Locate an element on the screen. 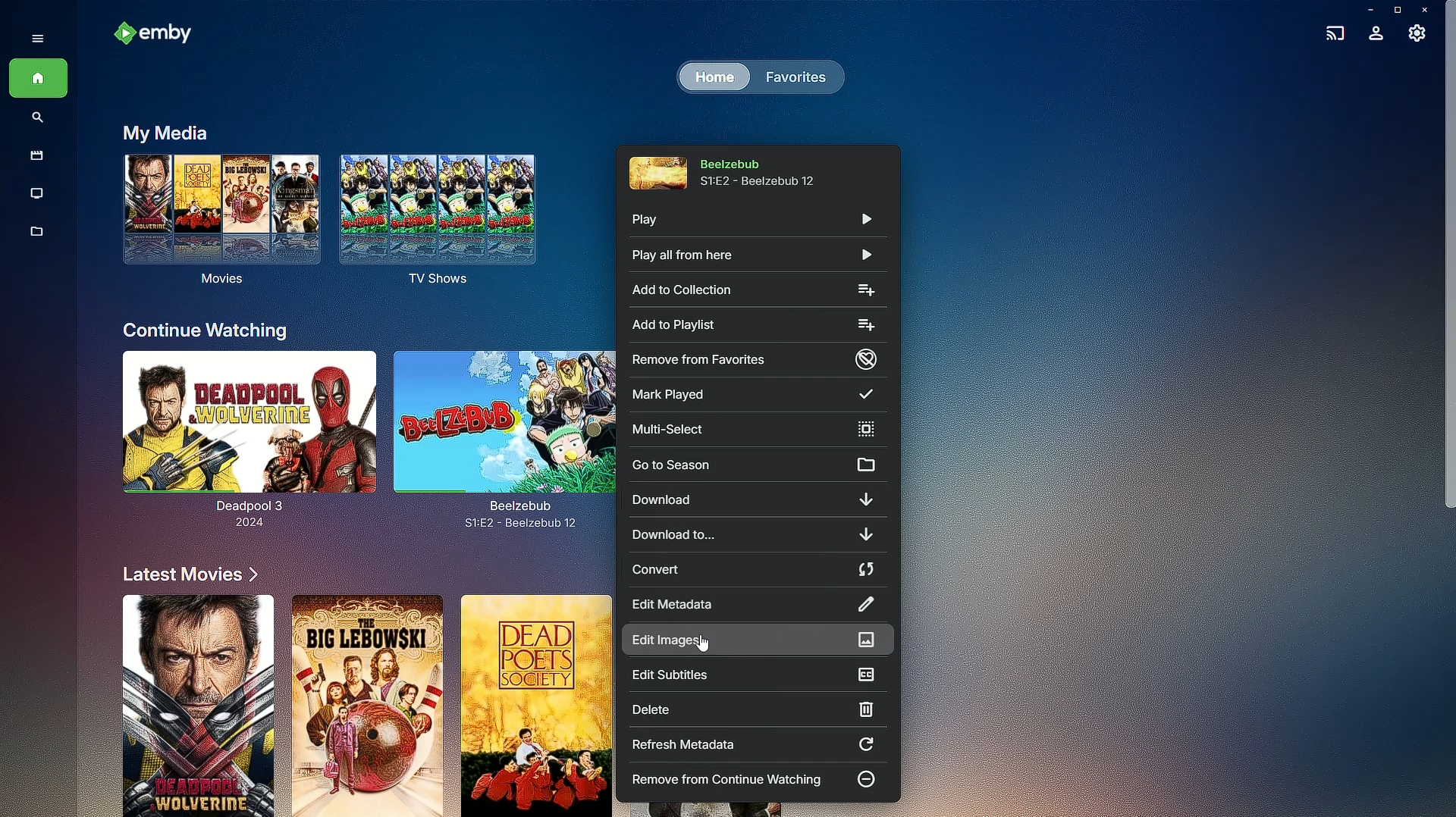 This screenshot has height=817, width=1456. Add to collection is located at coordinates (754, 287).